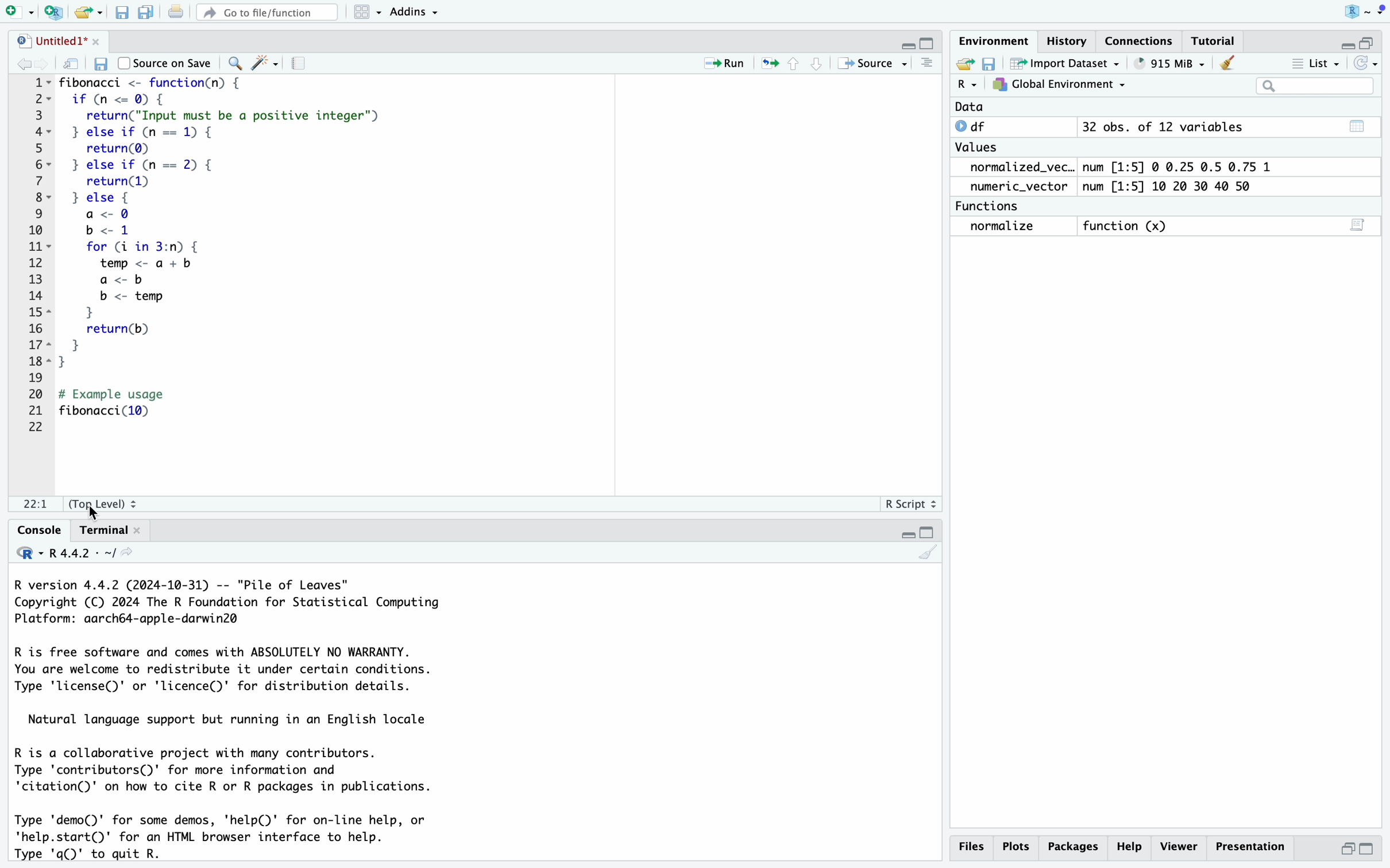 The image size is (1390, 868). What do you see at coordinates (32, 255) in the screenshot?
I see `serial numbers` at bounding box center [32, 255].